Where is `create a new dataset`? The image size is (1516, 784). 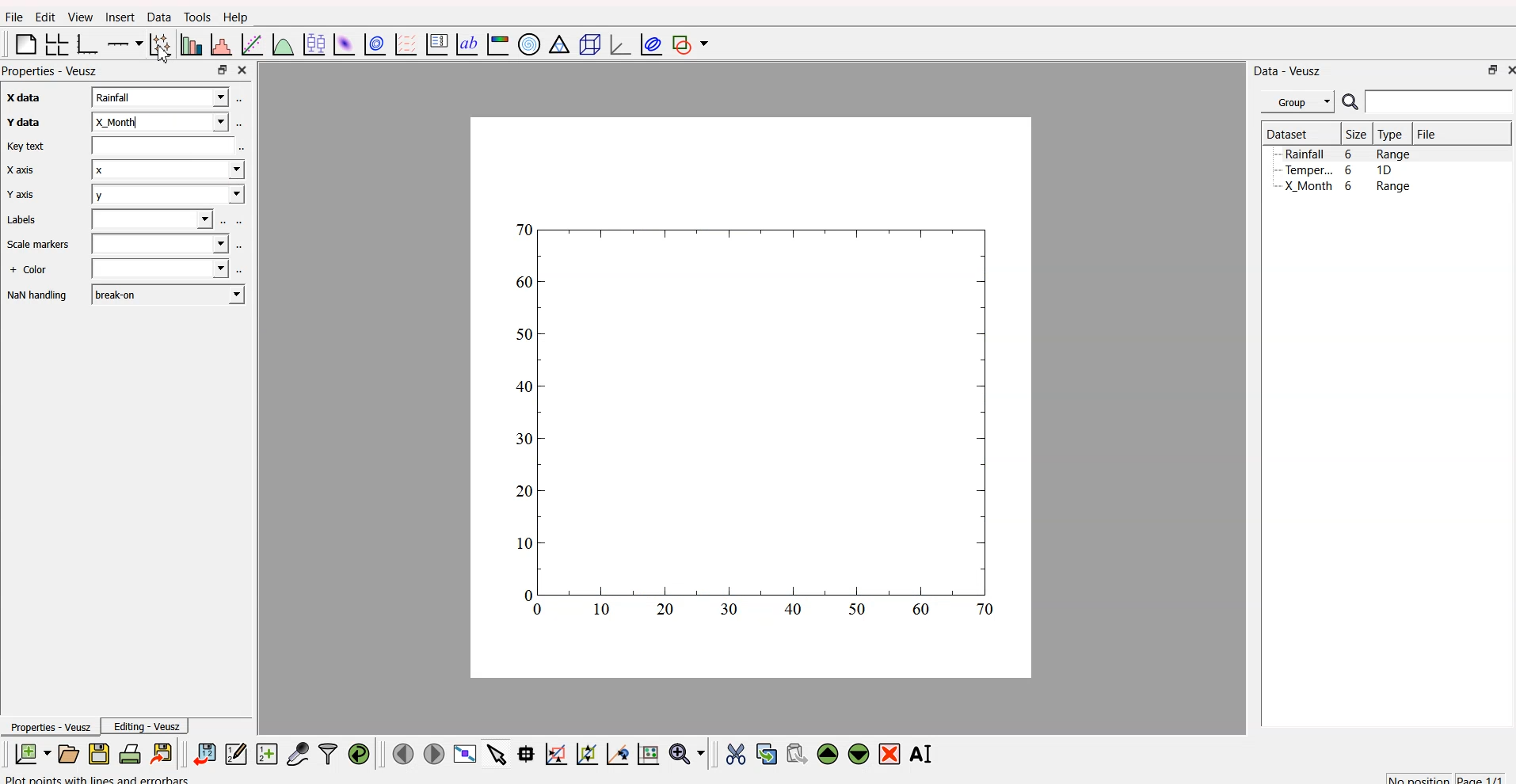
create a new dataset is located at coordinates (266, 753).